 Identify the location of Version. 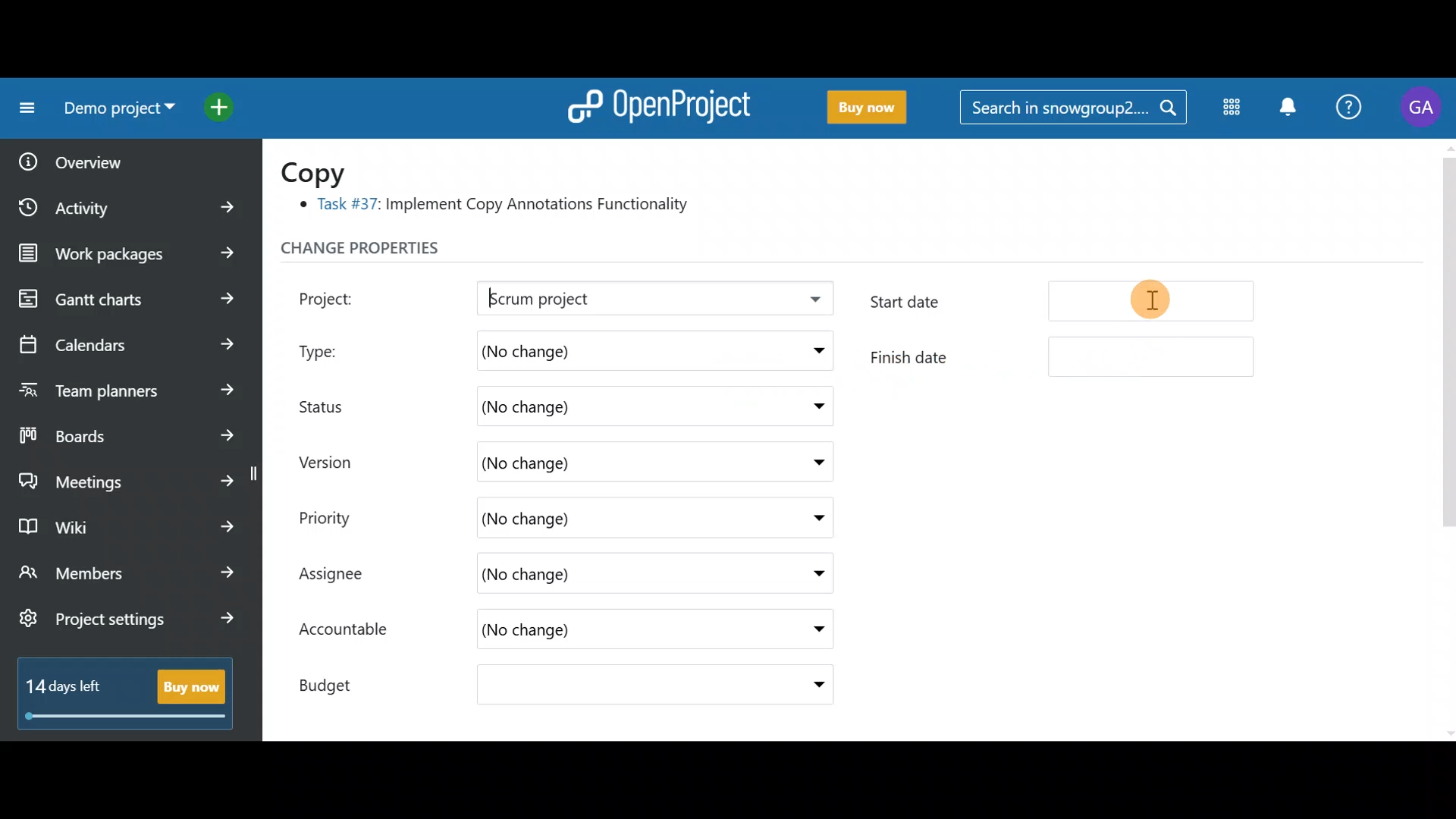
(334, 462).